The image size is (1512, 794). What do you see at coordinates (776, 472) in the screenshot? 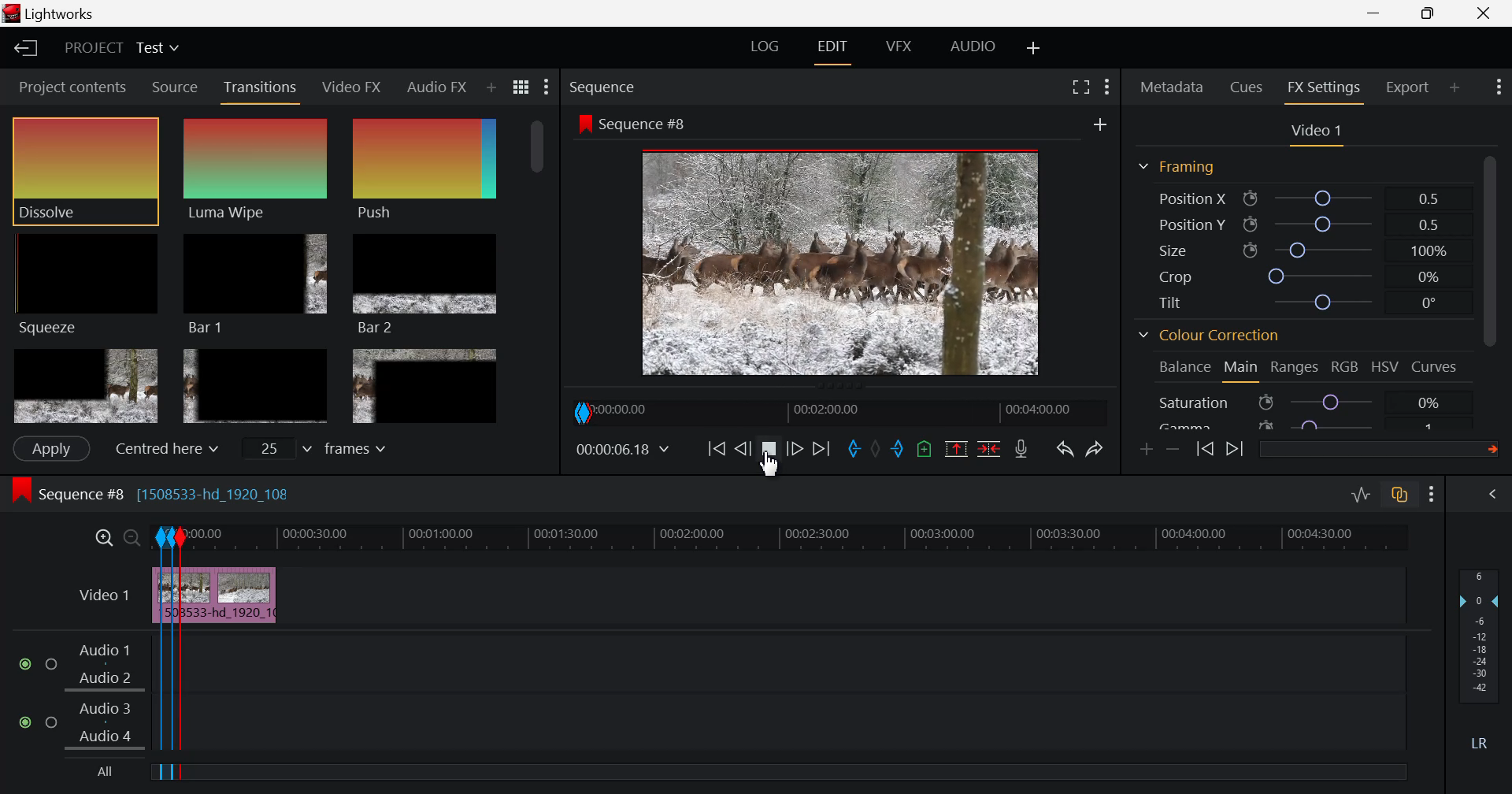
I see `Cursor` at bounding box center [776, 472].